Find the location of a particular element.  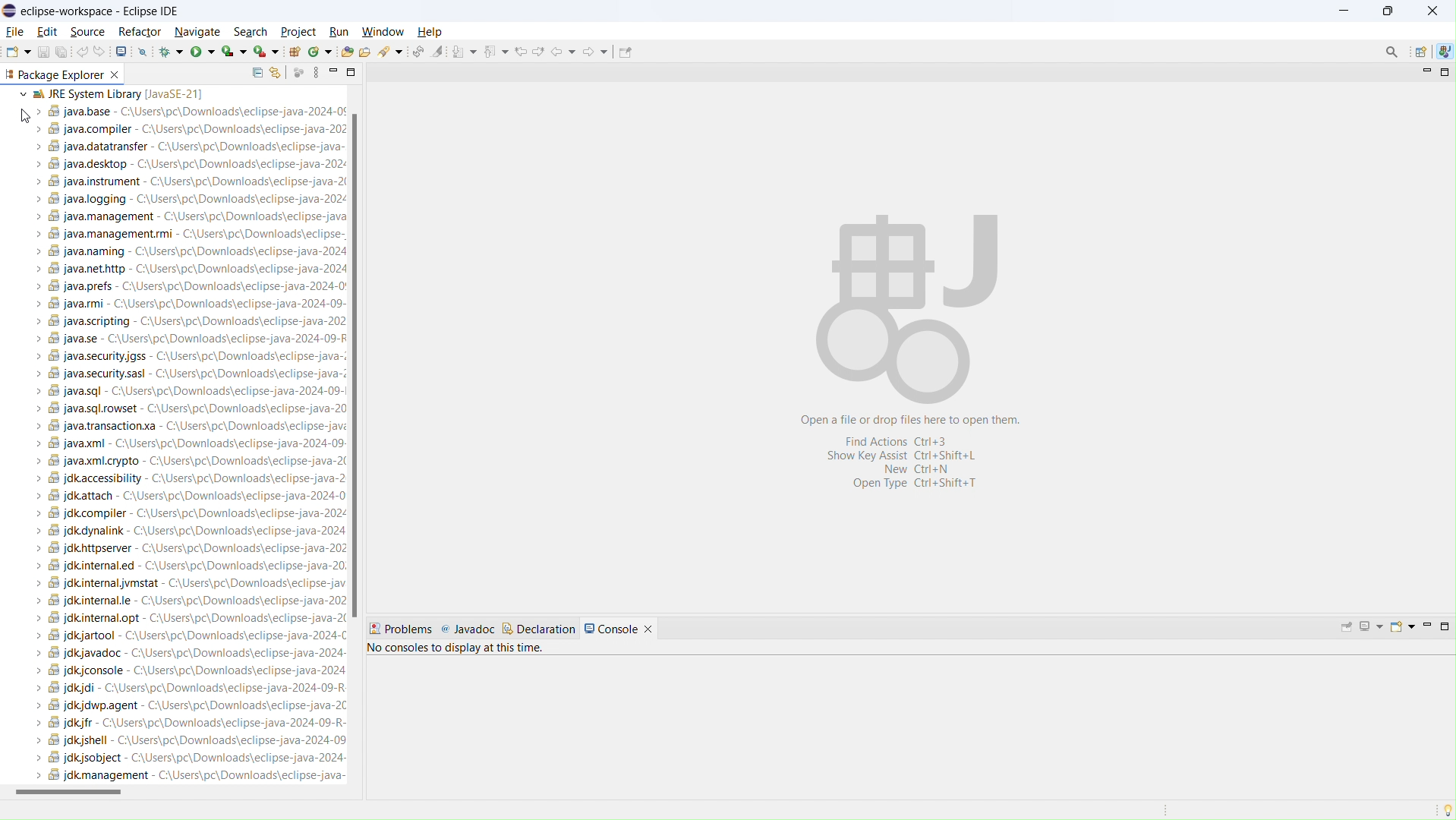

new is located at coordinates (17, 52).